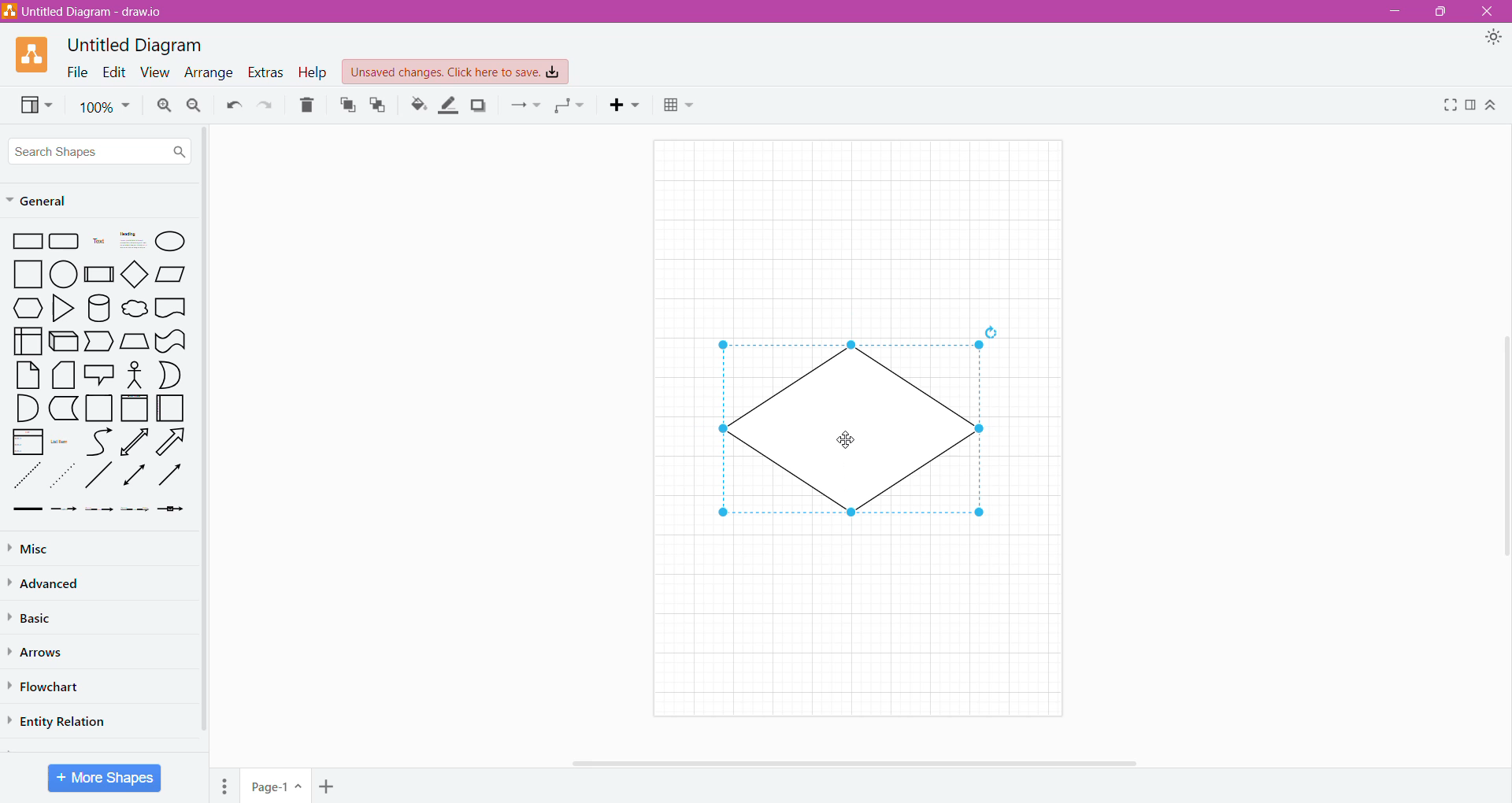  I want to click on Horizontal Scroll Bar, so click(858, 761).